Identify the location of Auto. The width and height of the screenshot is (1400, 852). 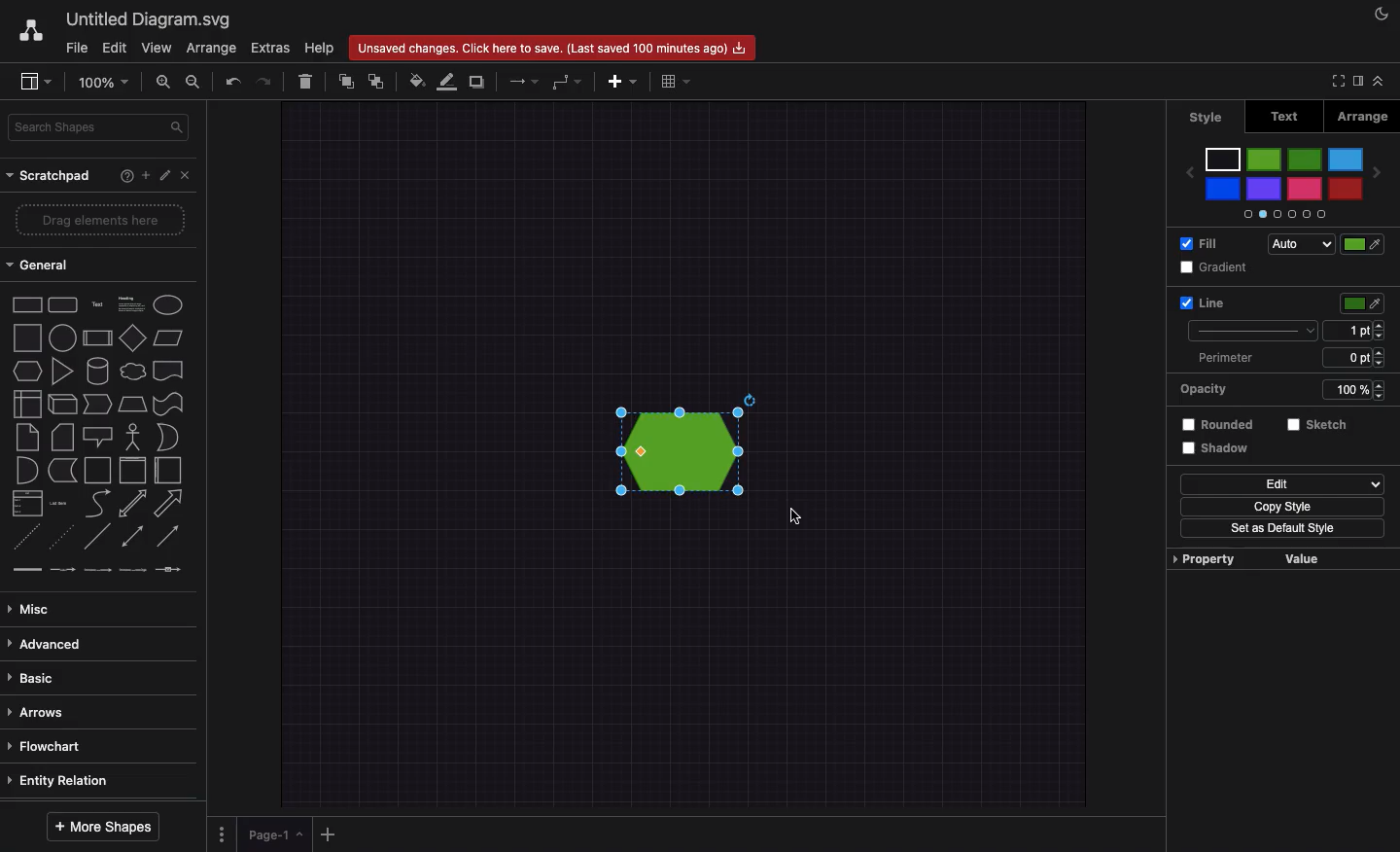
(1303, 244).